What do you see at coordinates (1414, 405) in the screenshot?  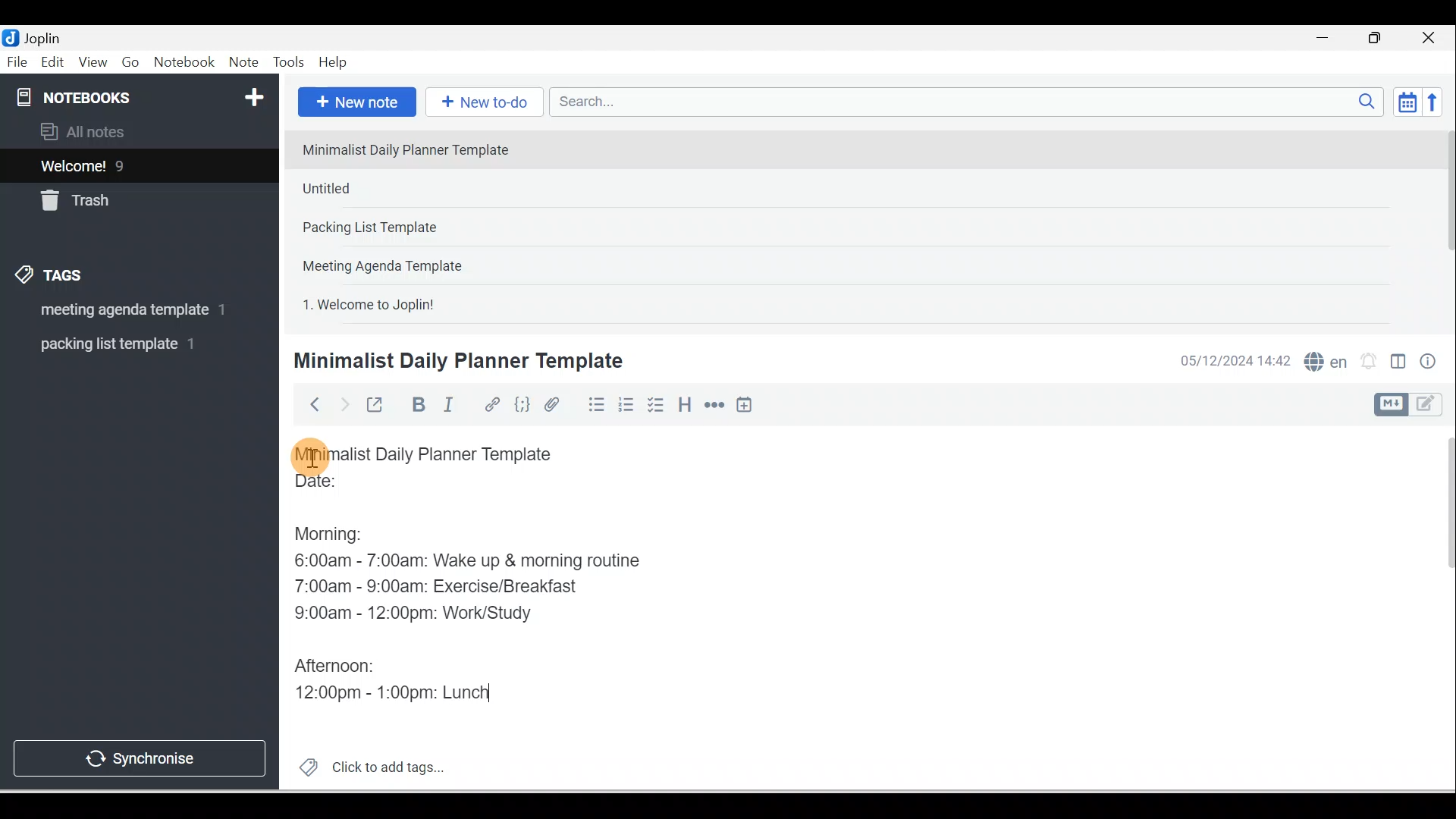 I see `Toggle editor layout` at bounding box center [1414, 405].